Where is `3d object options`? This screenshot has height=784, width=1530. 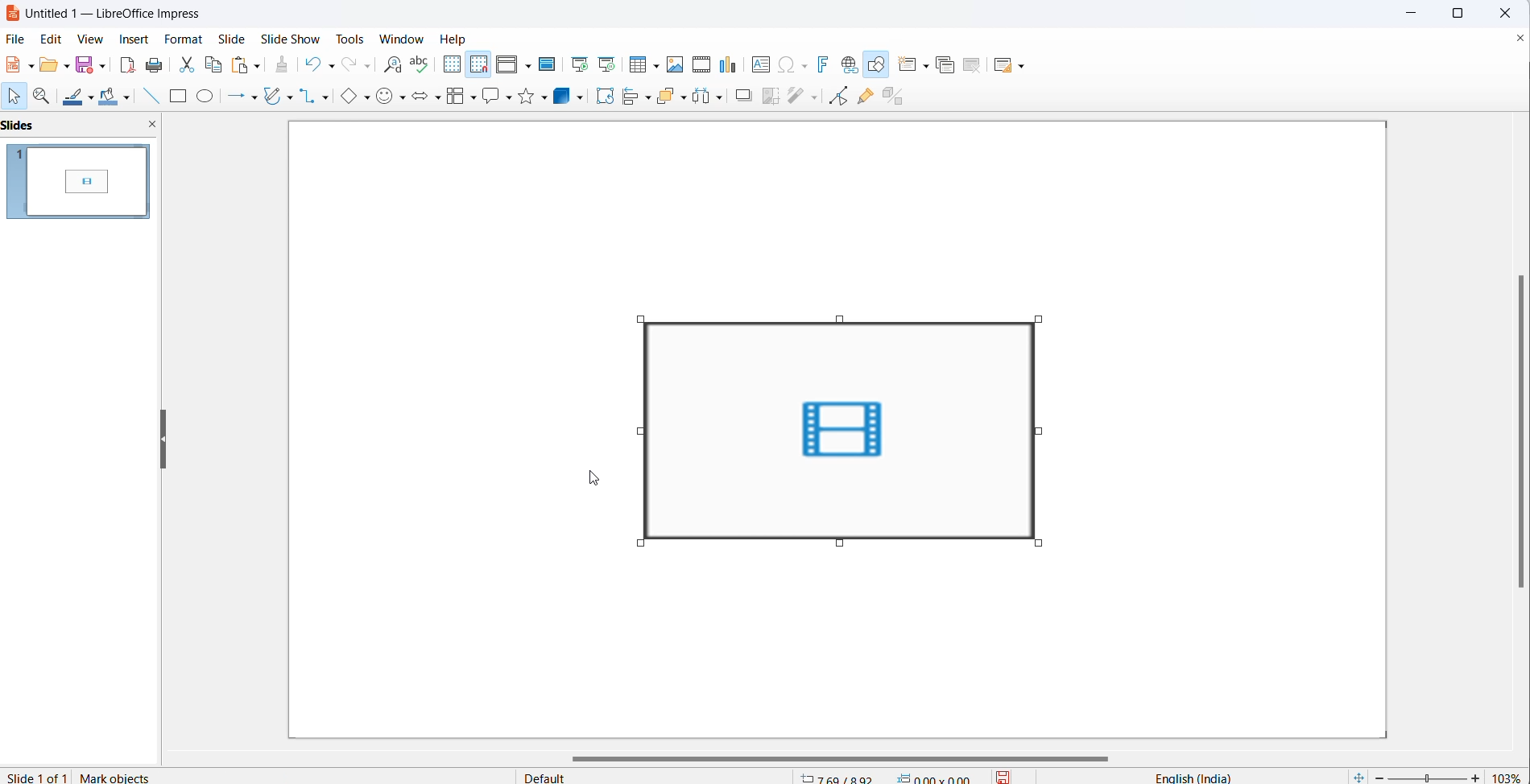 3d object options is located at coordinates (582, 97).